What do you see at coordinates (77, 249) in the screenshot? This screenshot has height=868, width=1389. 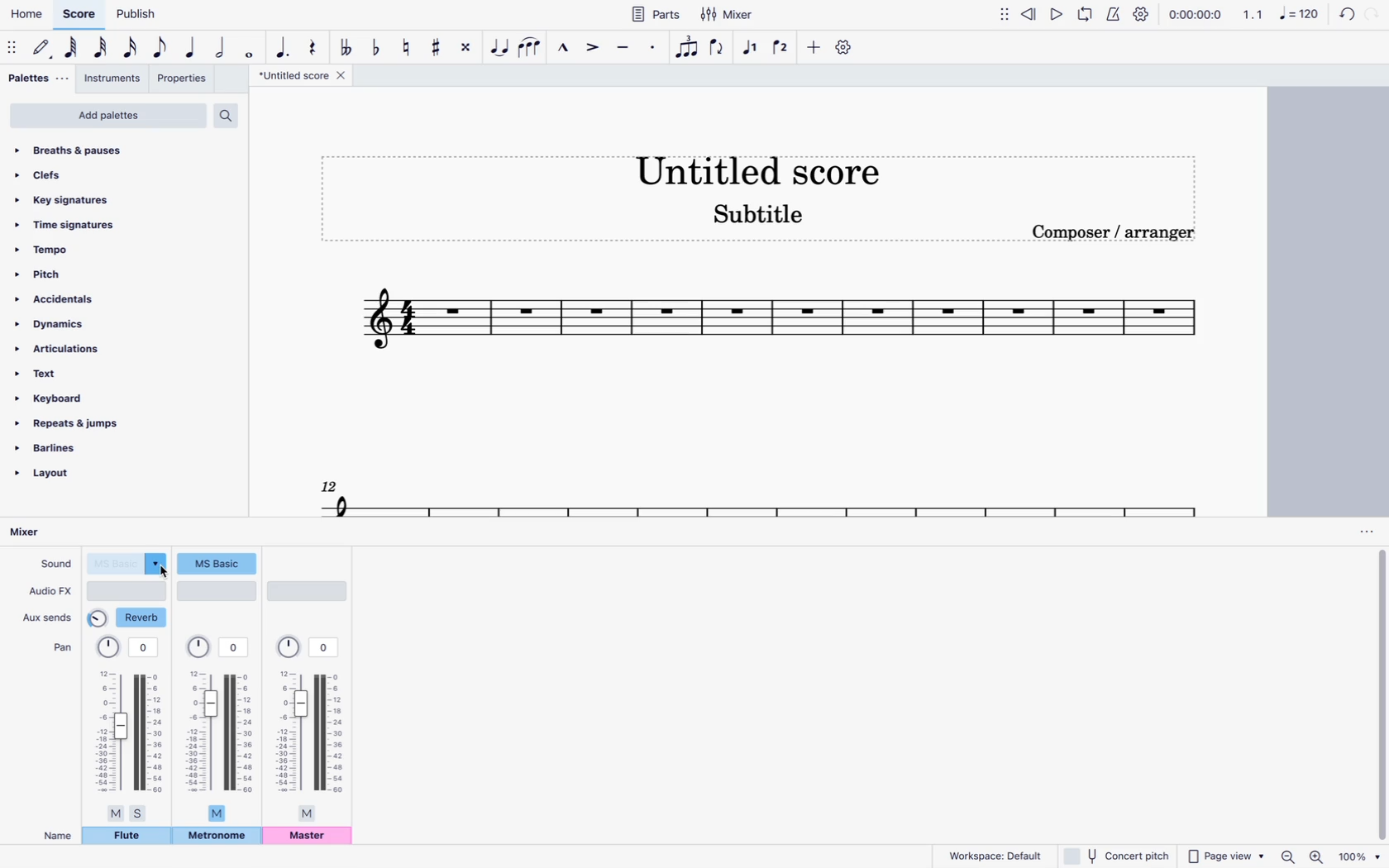 I see `tempo` at bounding box center [77, 249].